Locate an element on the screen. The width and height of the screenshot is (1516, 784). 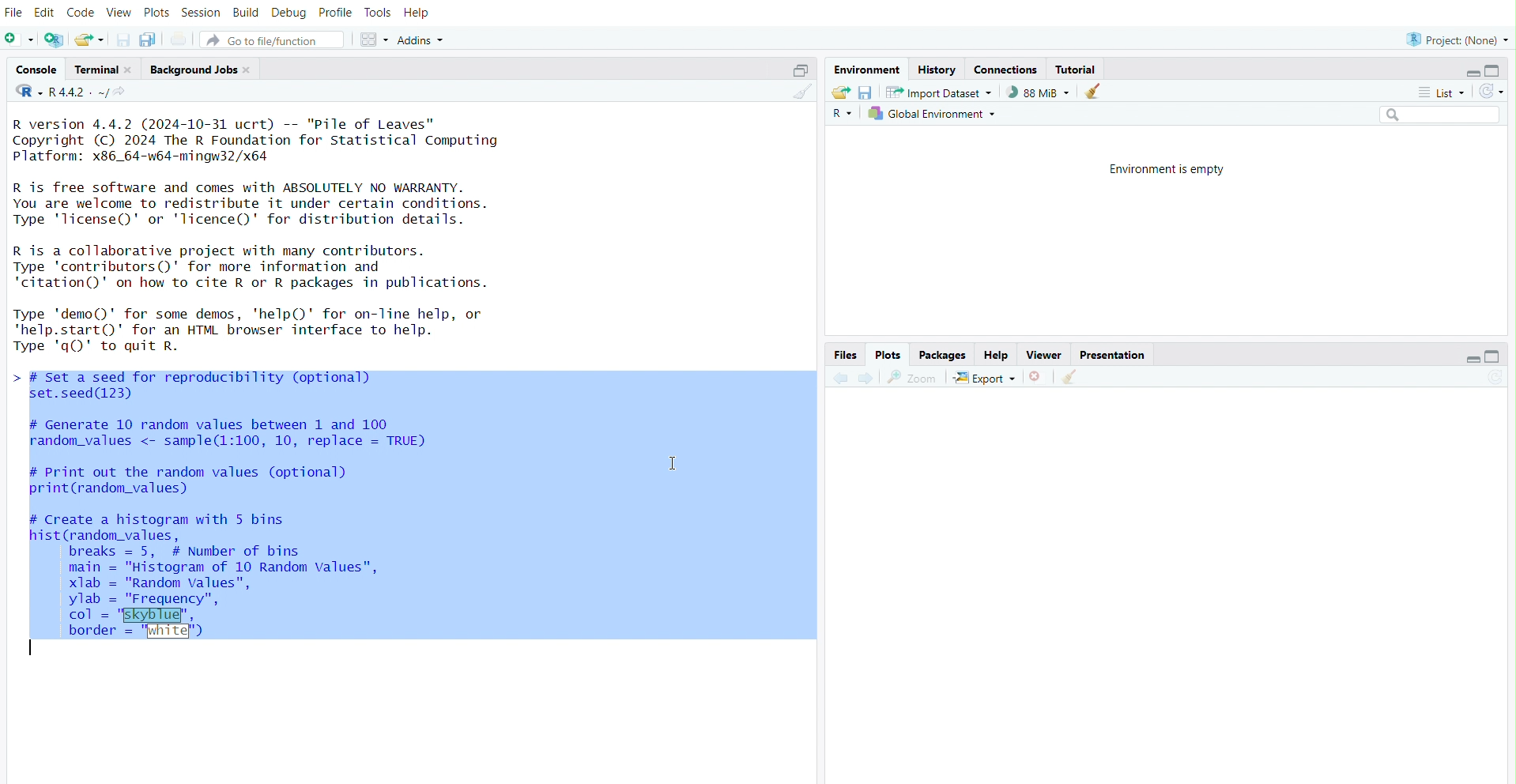
environment is located at coordinates (867, 68).